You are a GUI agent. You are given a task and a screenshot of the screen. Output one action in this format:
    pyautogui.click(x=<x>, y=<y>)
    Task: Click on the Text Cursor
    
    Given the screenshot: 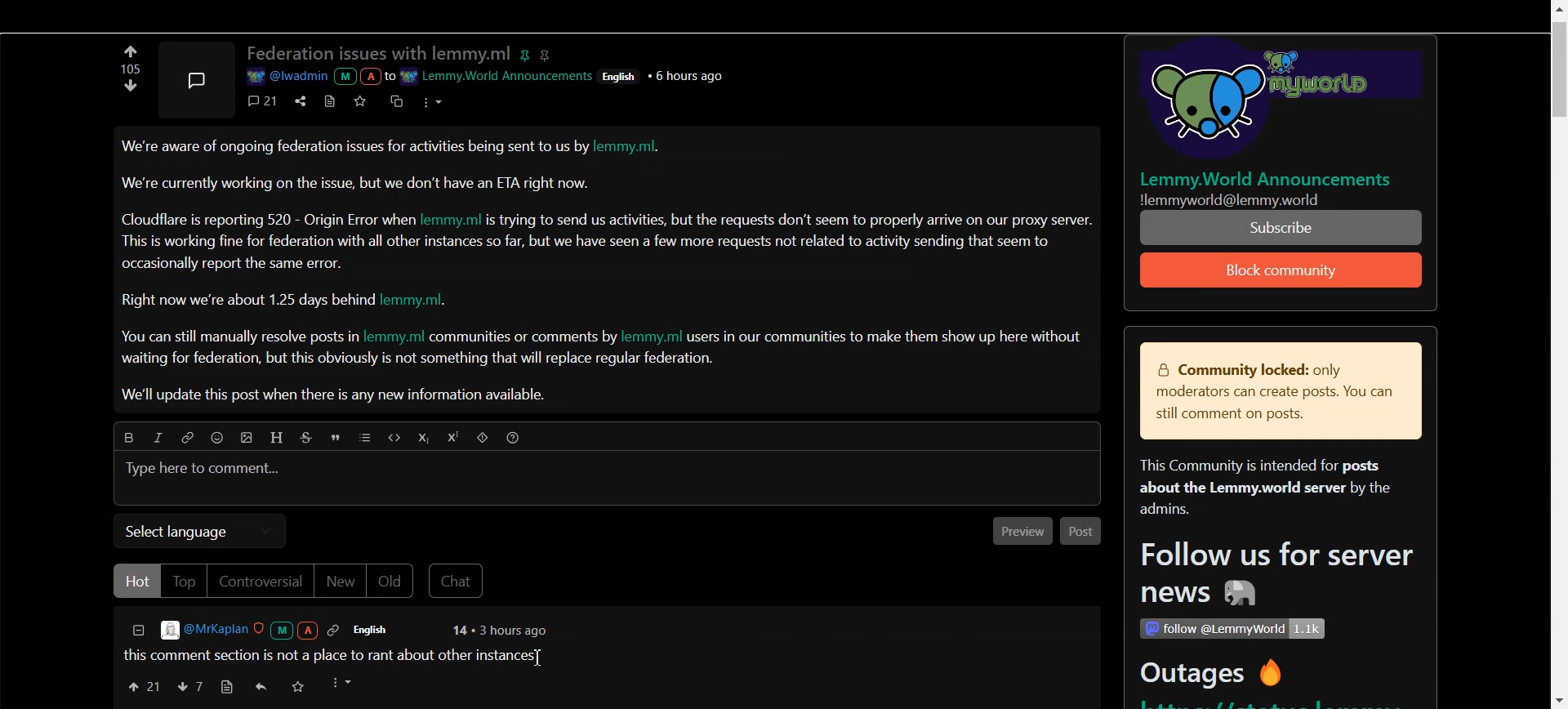 What is the action you would take?
    pyautogui.click(x=538, y=658)
    